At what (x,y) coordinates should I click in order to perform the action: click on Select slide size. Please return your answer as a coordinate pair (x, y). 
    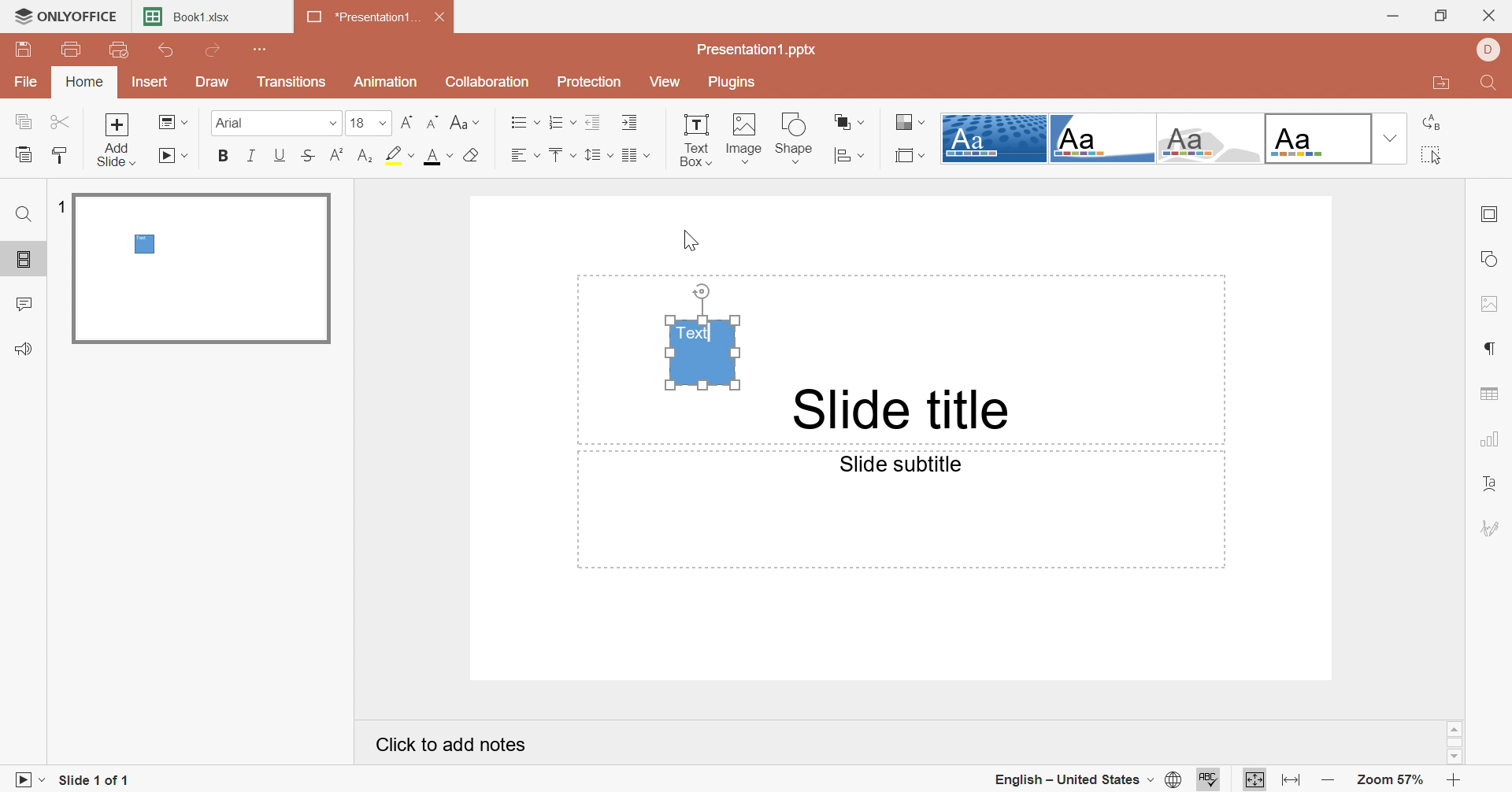
    Looking at the image, I should click on (908, 157).